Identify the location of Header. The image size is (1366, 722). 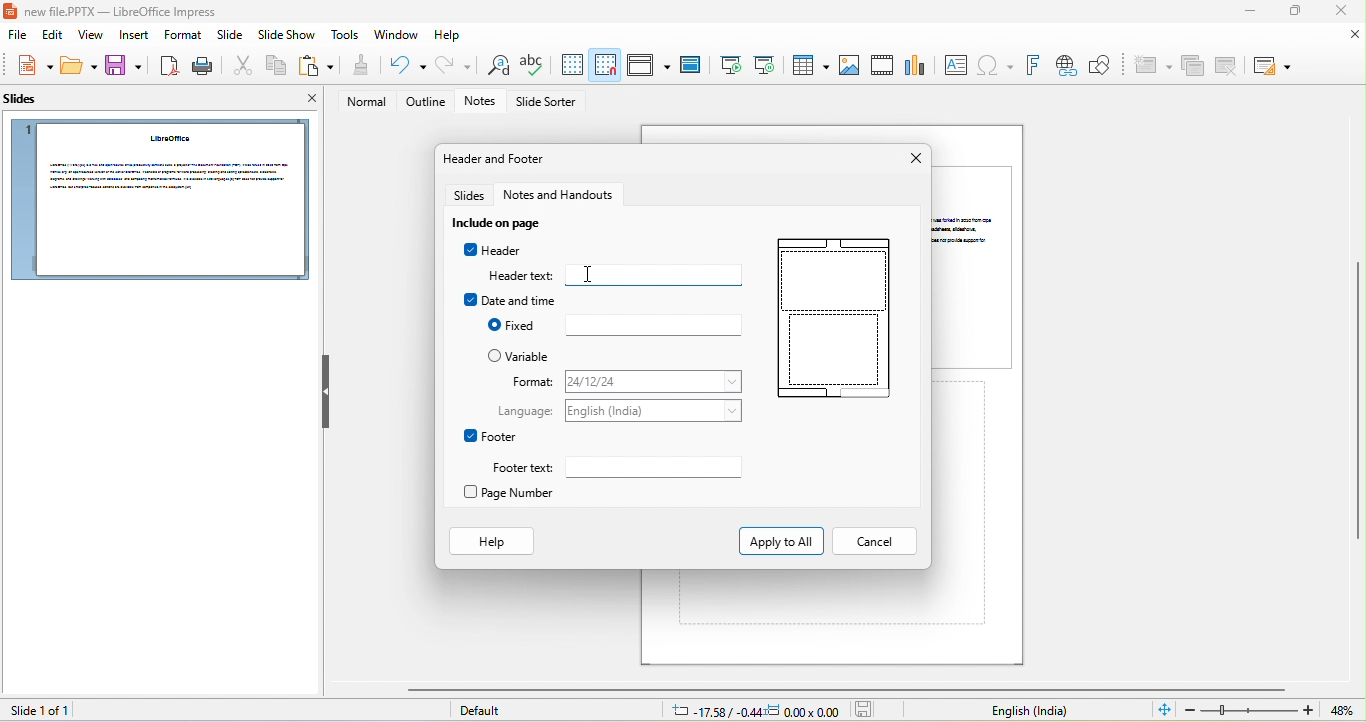
(491, 250).